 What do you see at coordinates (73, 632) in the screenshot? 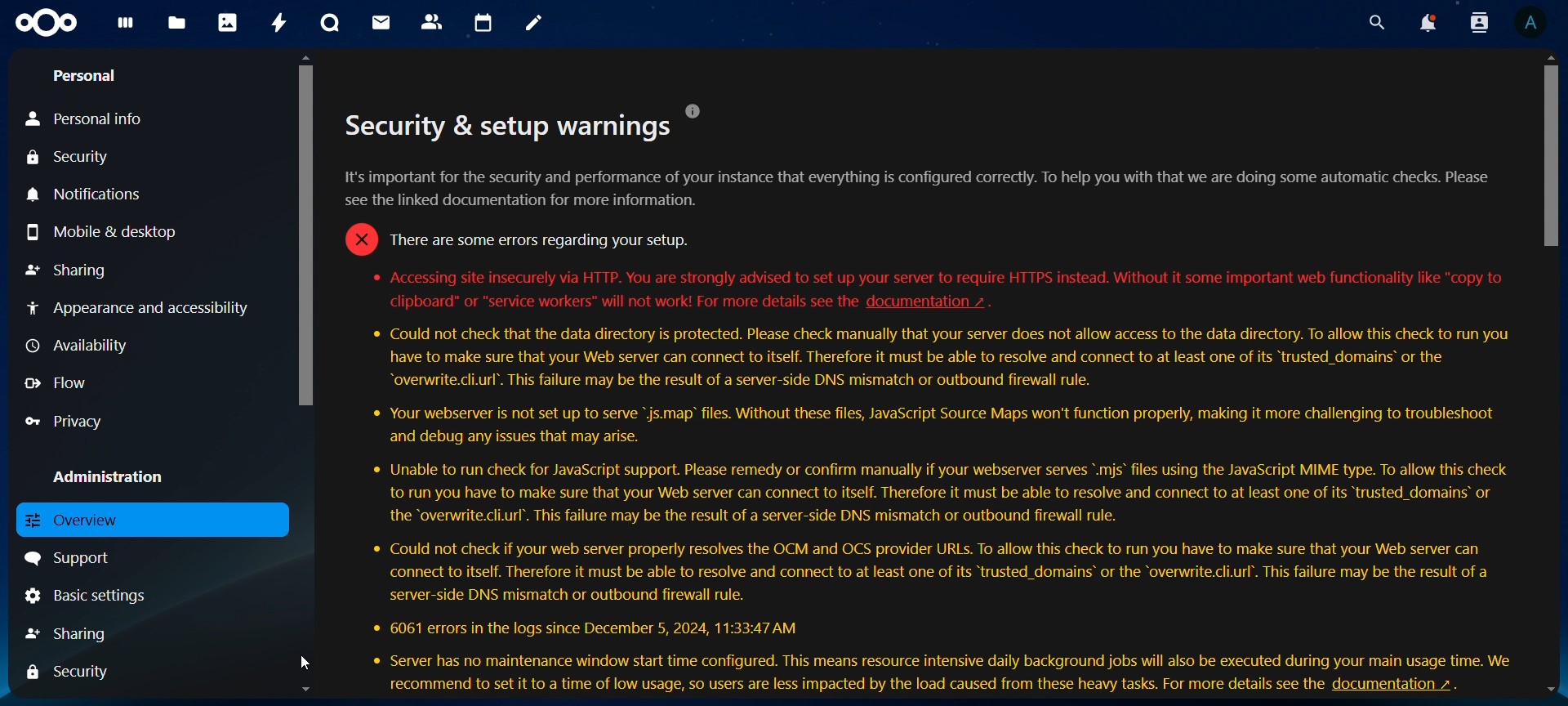
I see `sharing` at bounding box center [73, 632].